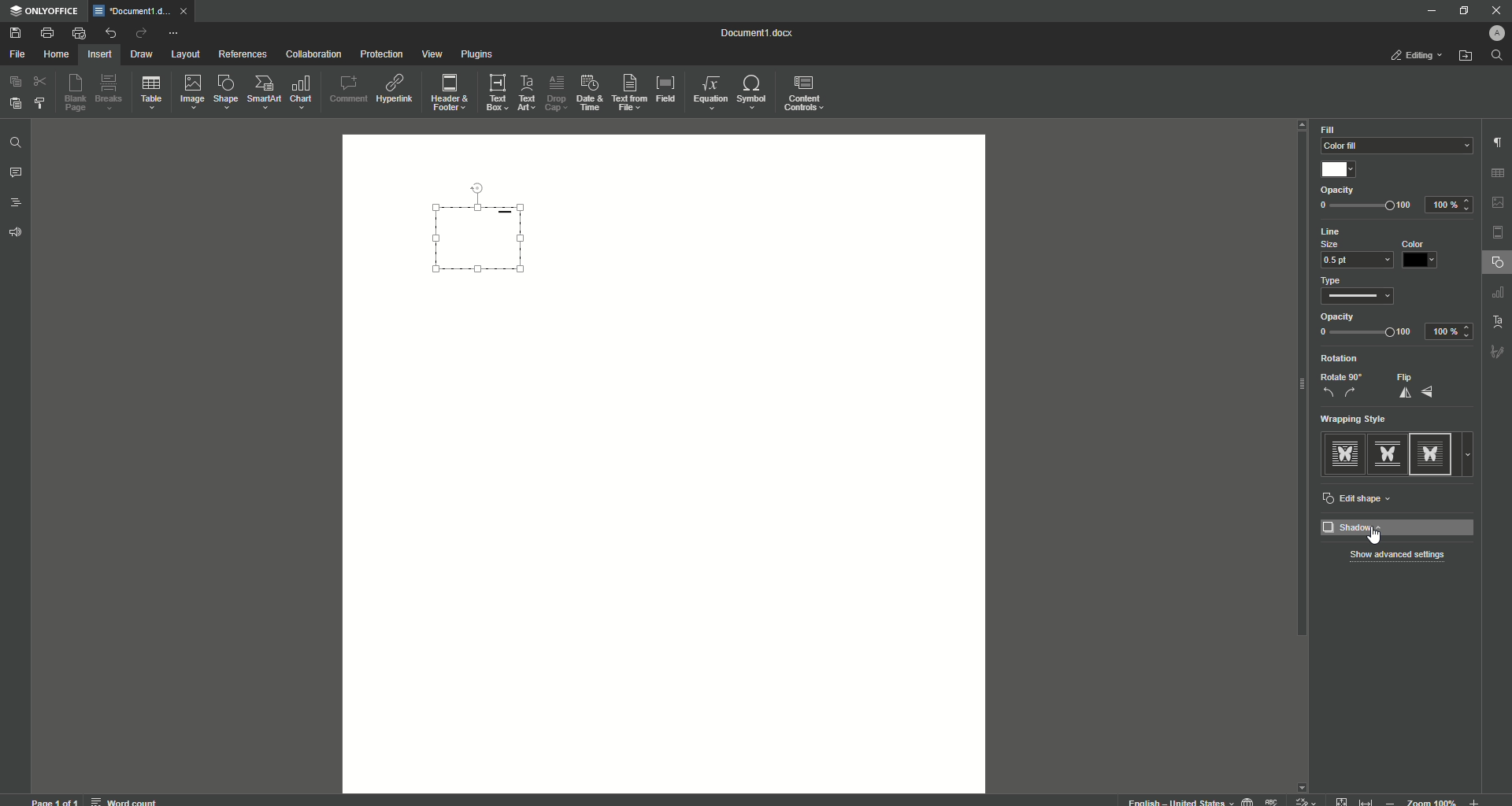 This screenshot has width=1512, height=806. Describe the element at coordinates (348, 89) in the screenshot. I see `Comment` at that location.